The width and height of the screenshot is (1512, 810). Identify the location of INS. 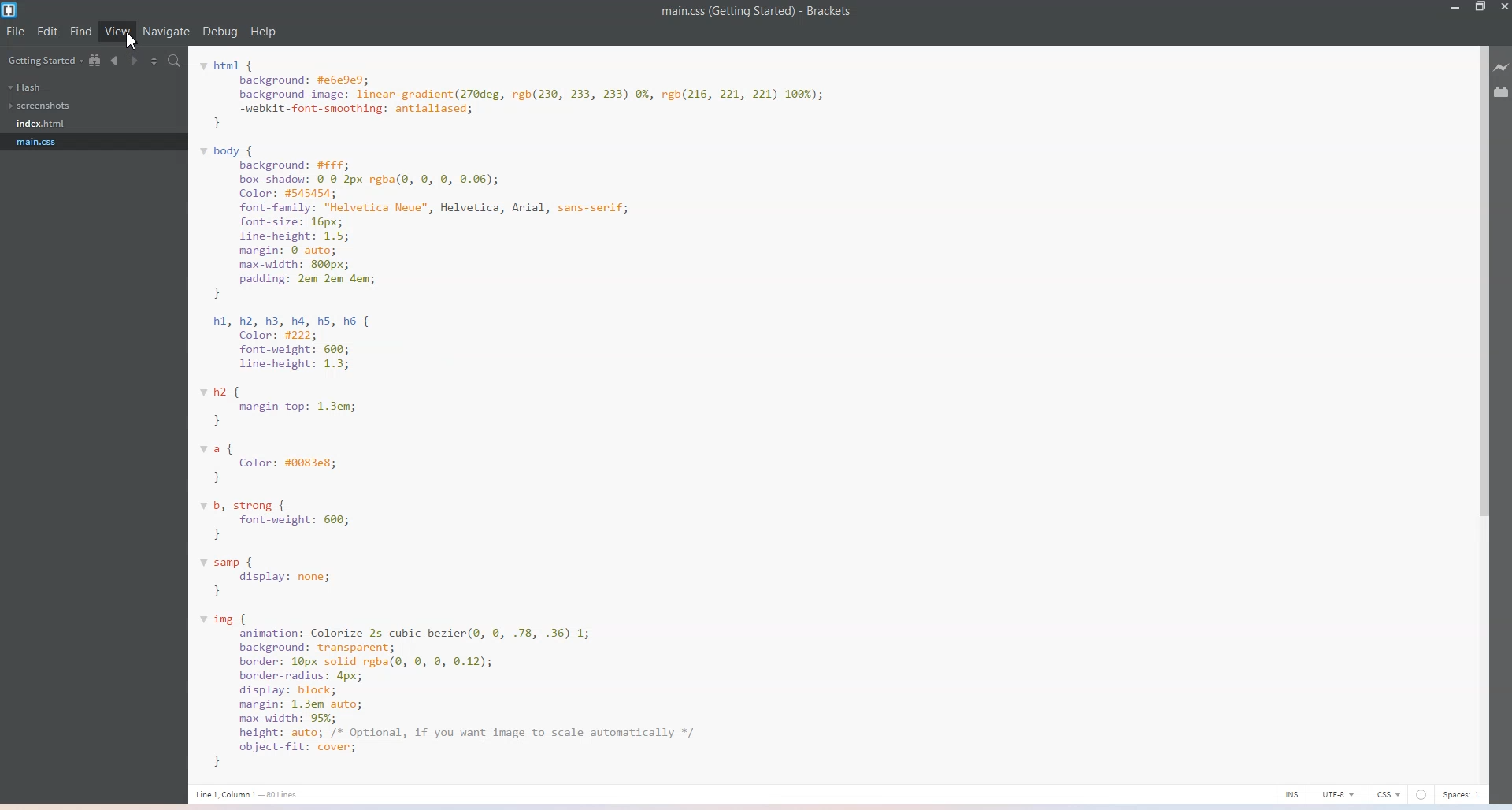
(1292, 793).